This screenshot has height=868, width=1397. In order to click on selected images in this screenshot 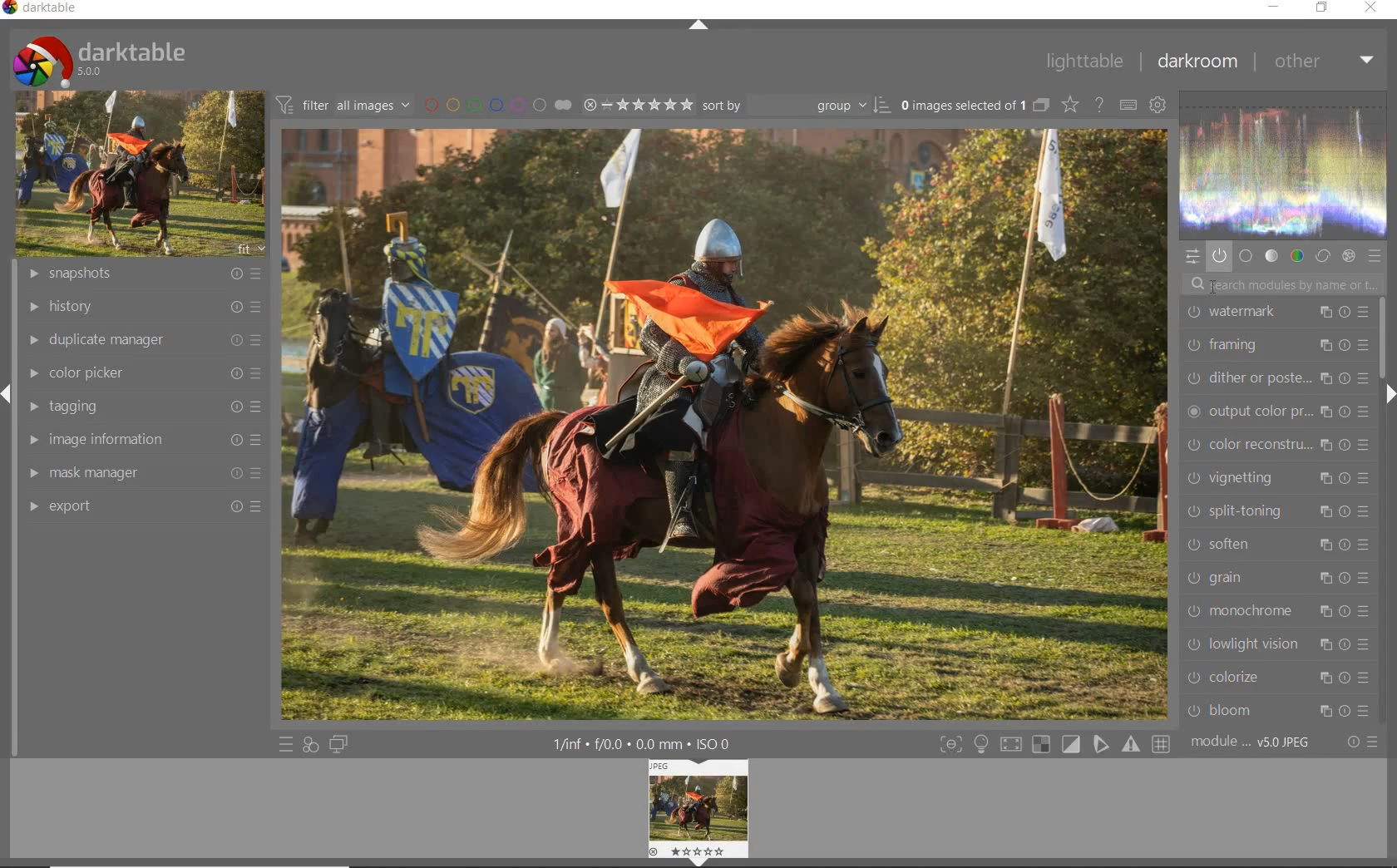, I will do `click(973, 104)`.